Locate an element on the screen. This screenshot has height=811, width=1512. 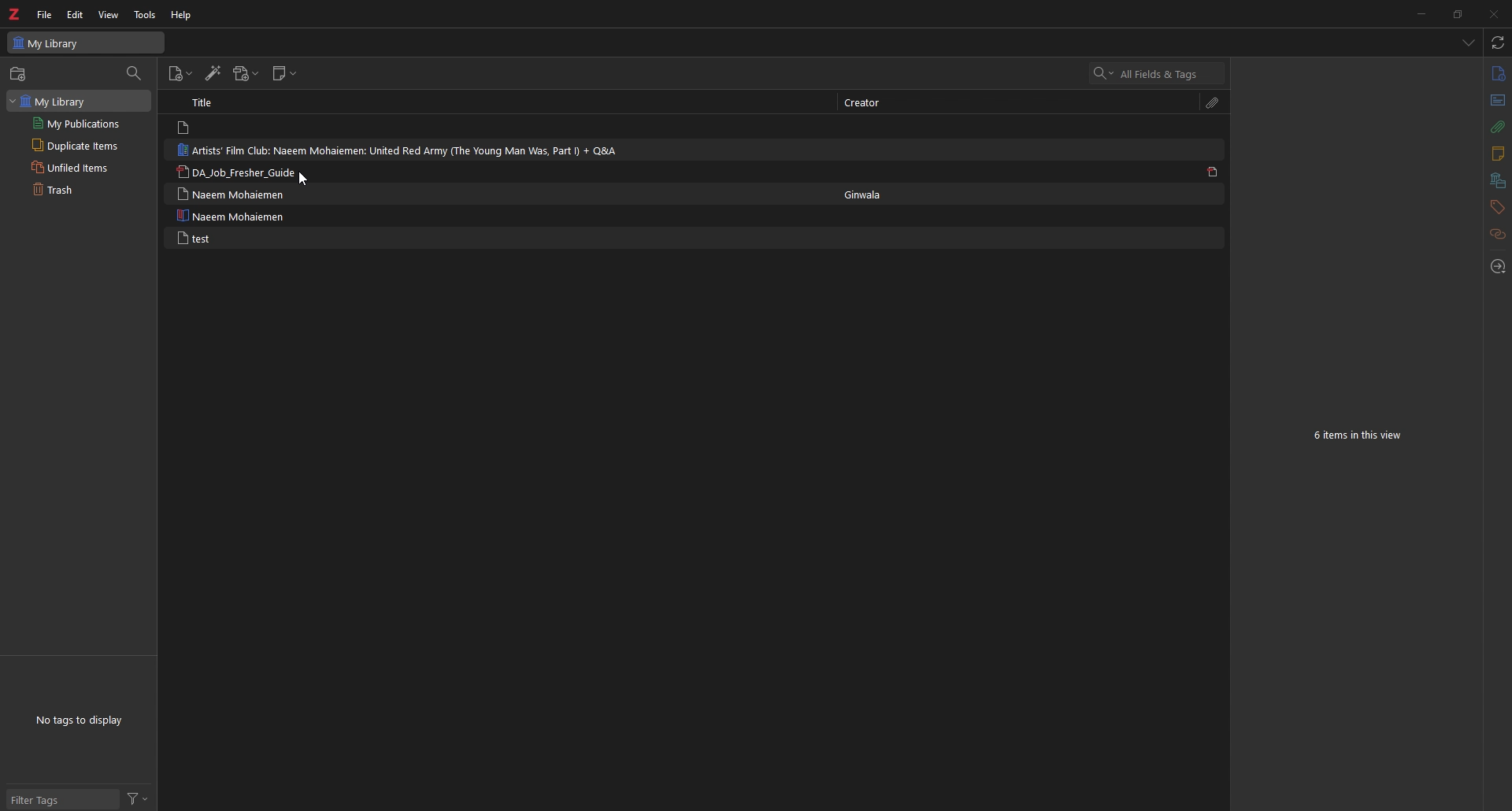
note is located at coordinates (398, 150).